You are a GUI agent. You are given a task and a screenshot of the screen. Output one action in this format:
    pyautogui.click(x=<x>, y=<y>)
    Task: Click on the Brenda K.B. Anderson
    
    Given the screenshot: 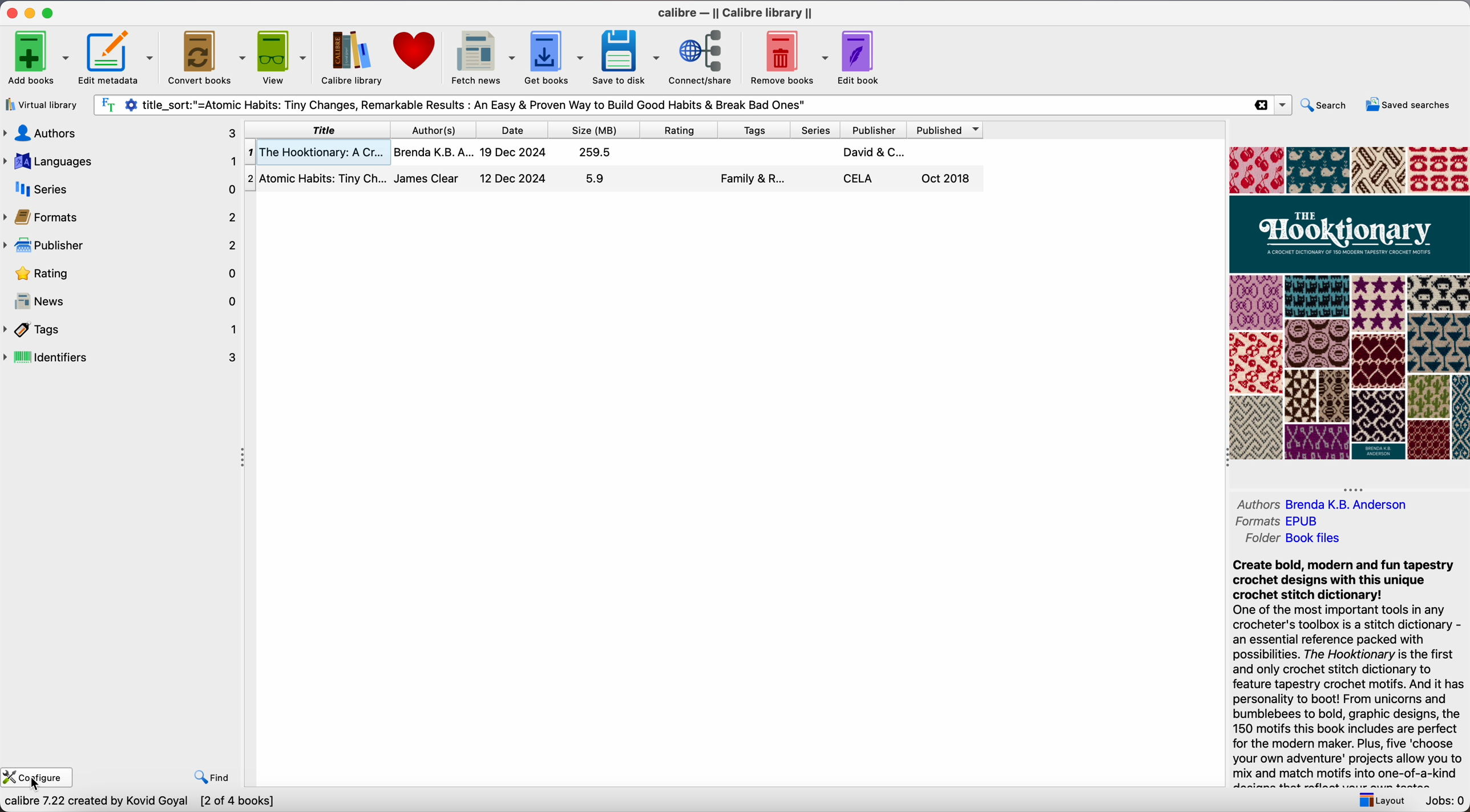 What is the action you would take?
    pyautogui.click(x=1346, y=505)
    